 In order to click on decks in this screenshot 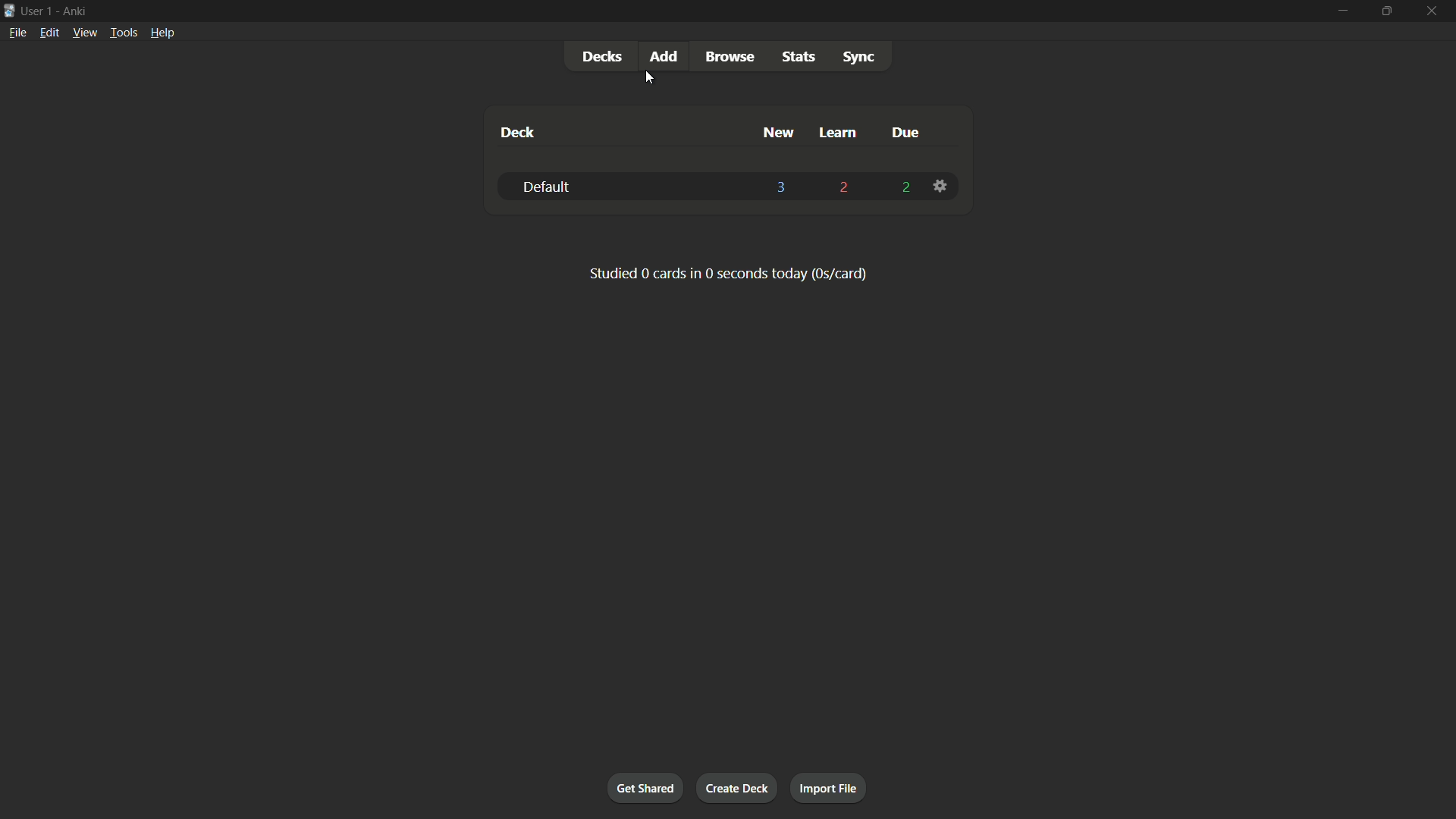, I will do `click(601, 57)`.